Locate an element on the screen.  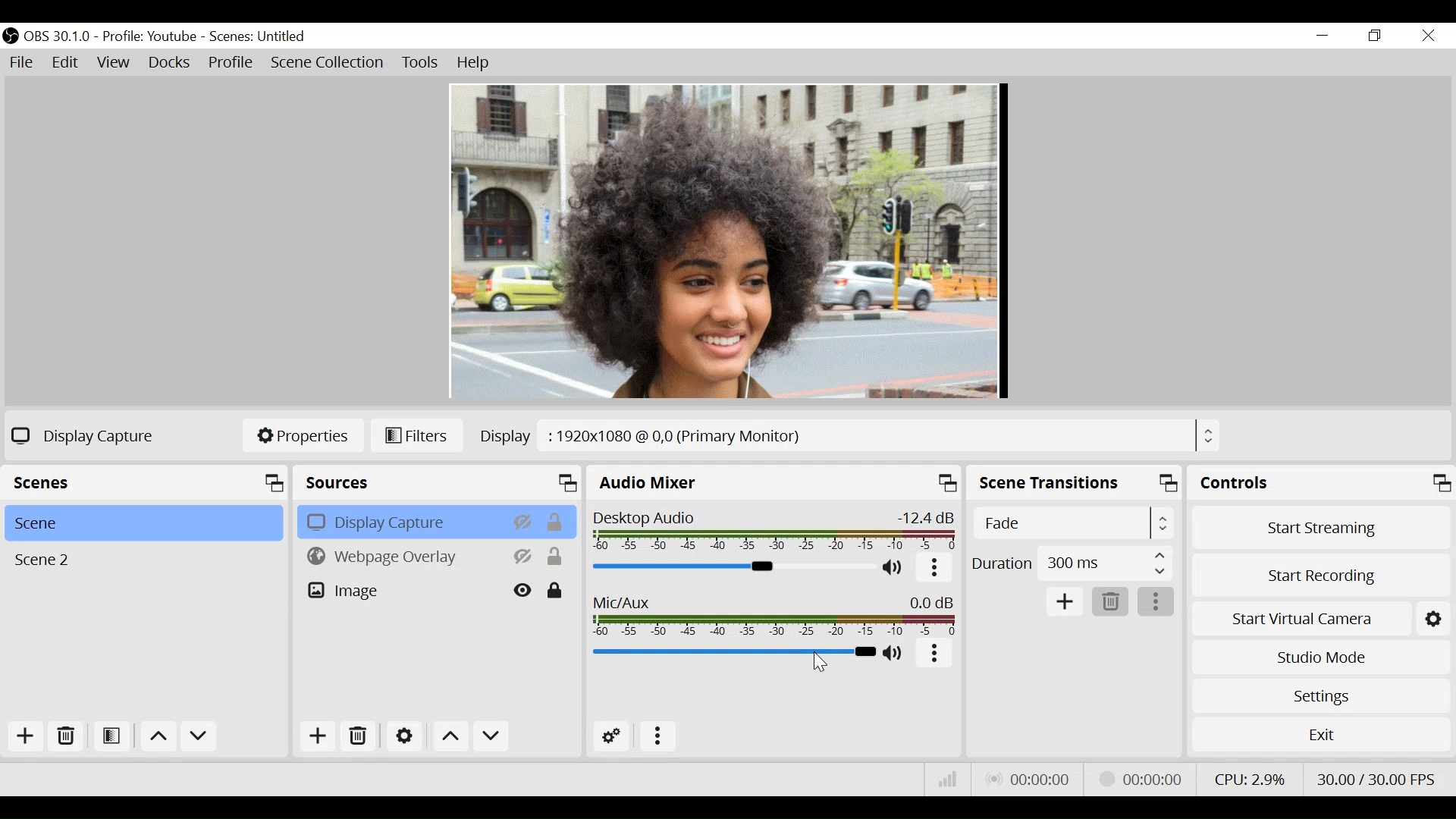
Desktop Audio is located at coordinates (773, 531).